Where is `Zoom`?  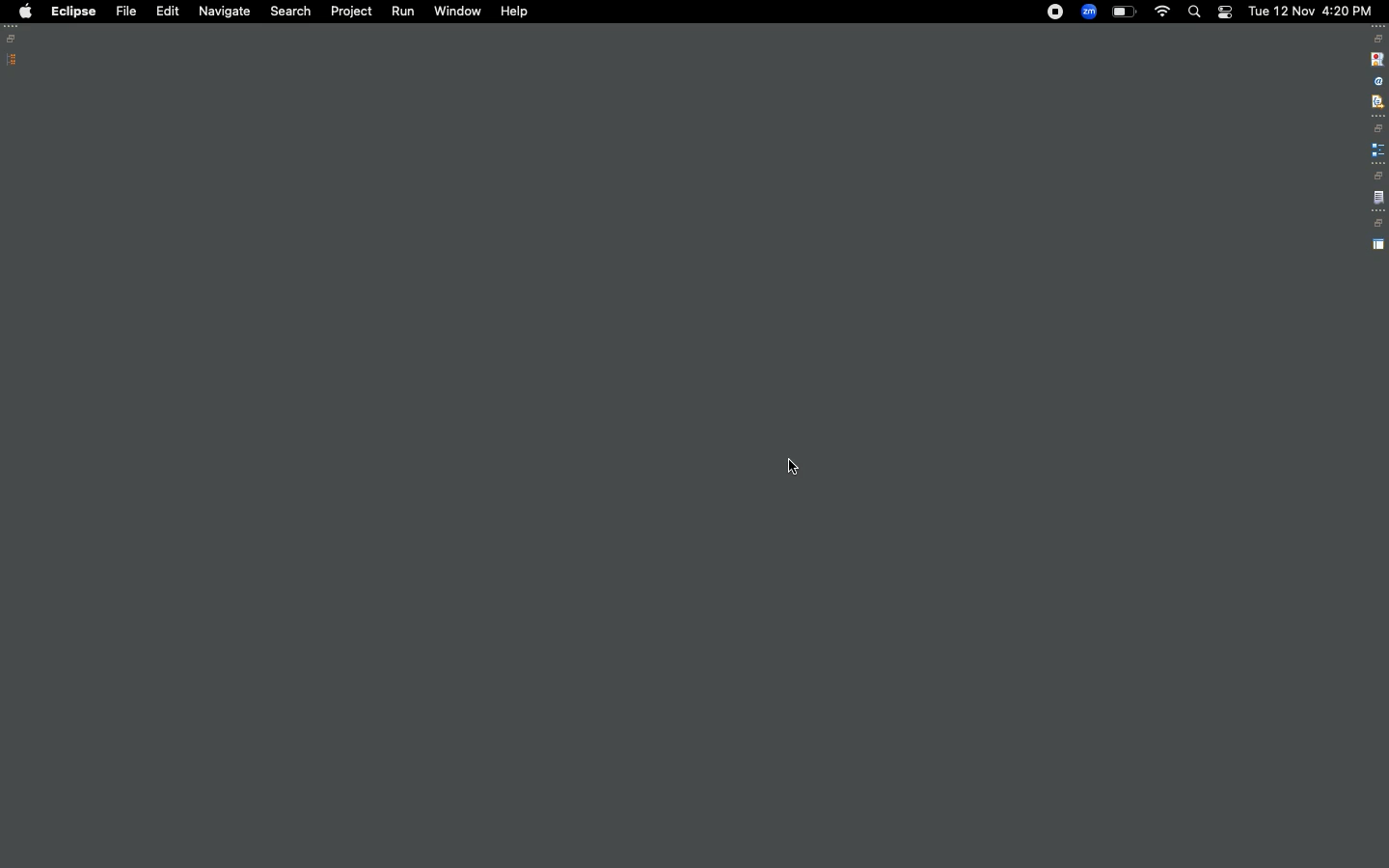 Zoom is located at coordinates (1088, 12).